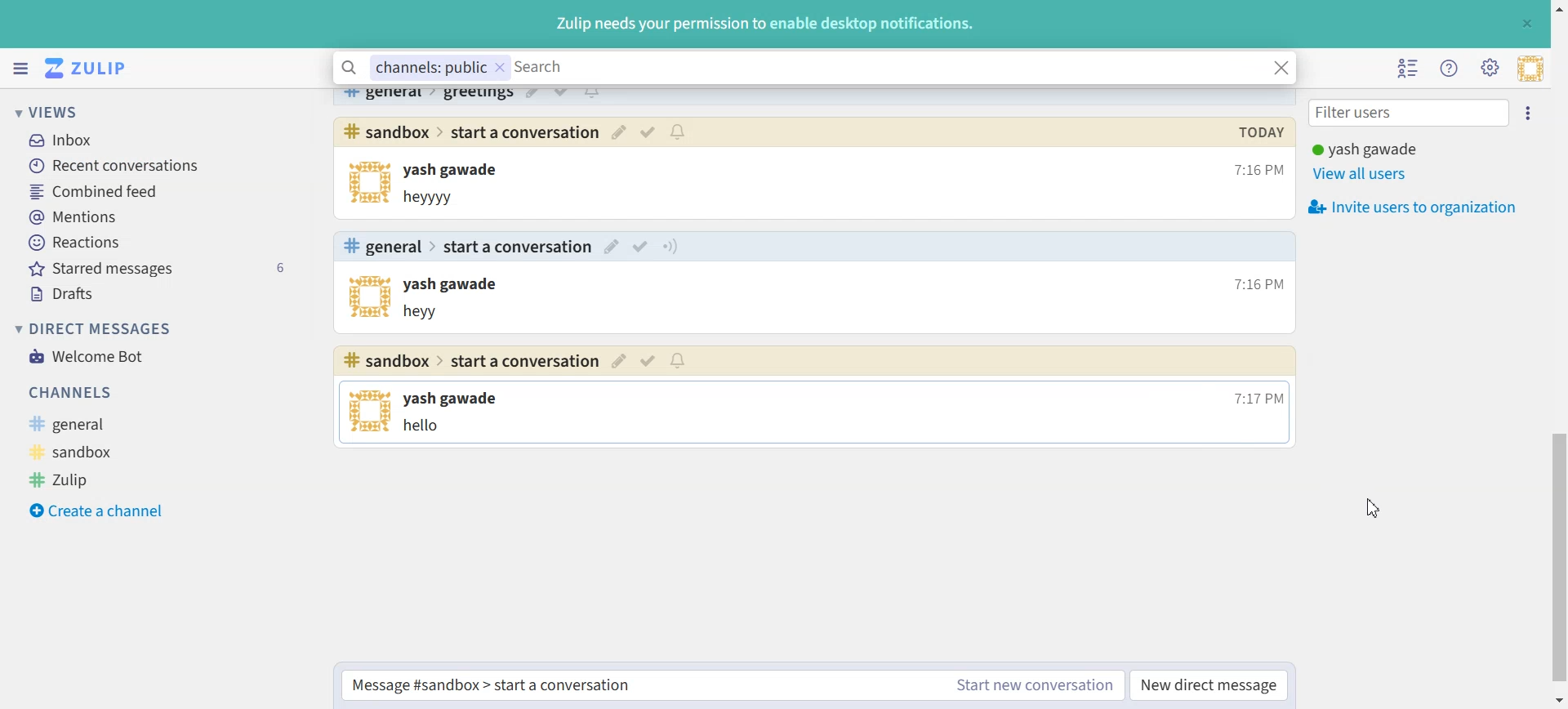 This screenshot has height=709, width=1568. What do you see at coordinates (162, 242) in the screenshot?
I see `Reactions` at bounding box center [162, 242].